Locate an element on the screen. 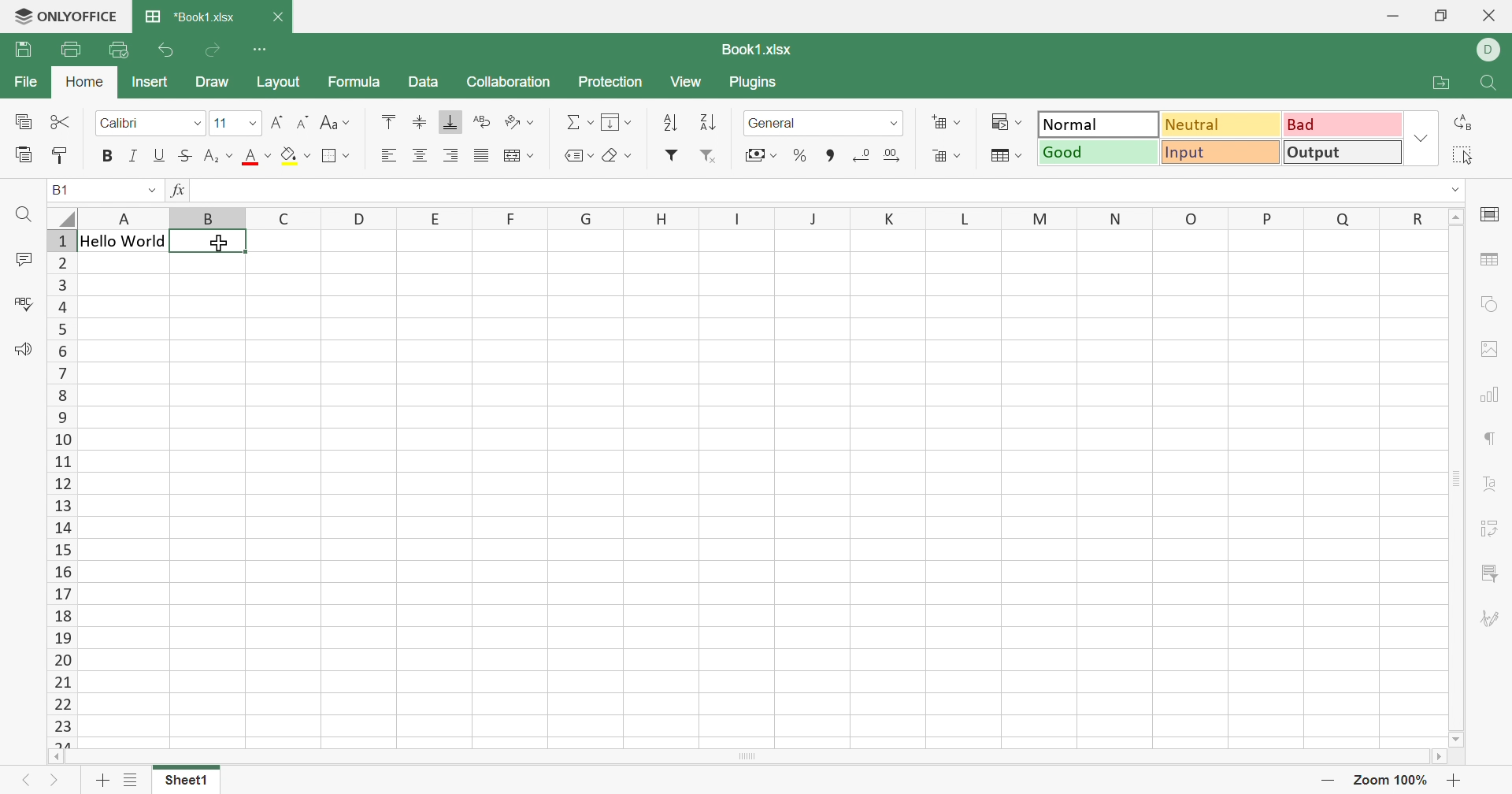  Subscript is located at coordinates (216, 157).